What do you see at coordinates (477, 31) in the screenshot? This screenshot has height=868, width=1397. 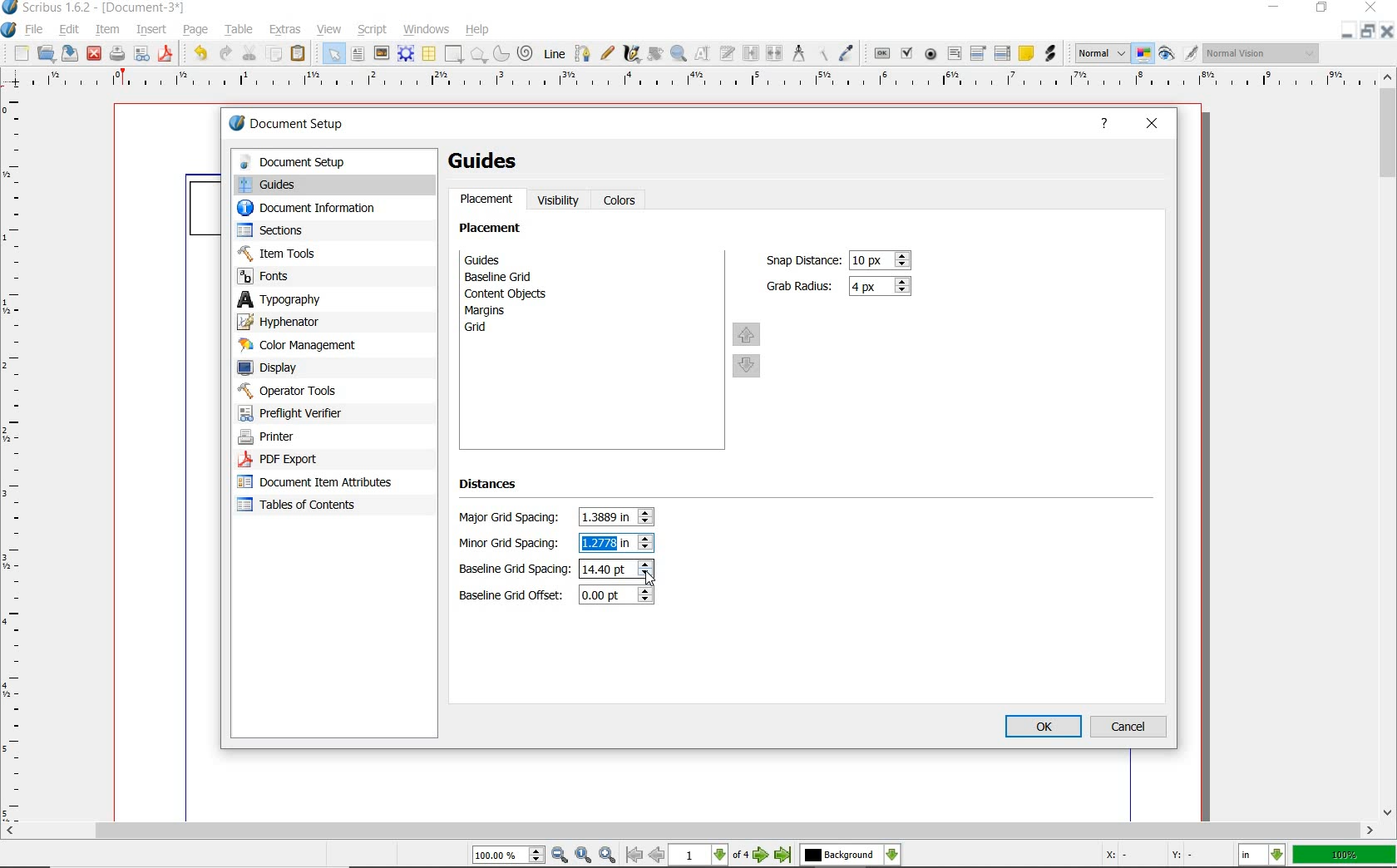 I see `help` at bounding box center [477, 31].